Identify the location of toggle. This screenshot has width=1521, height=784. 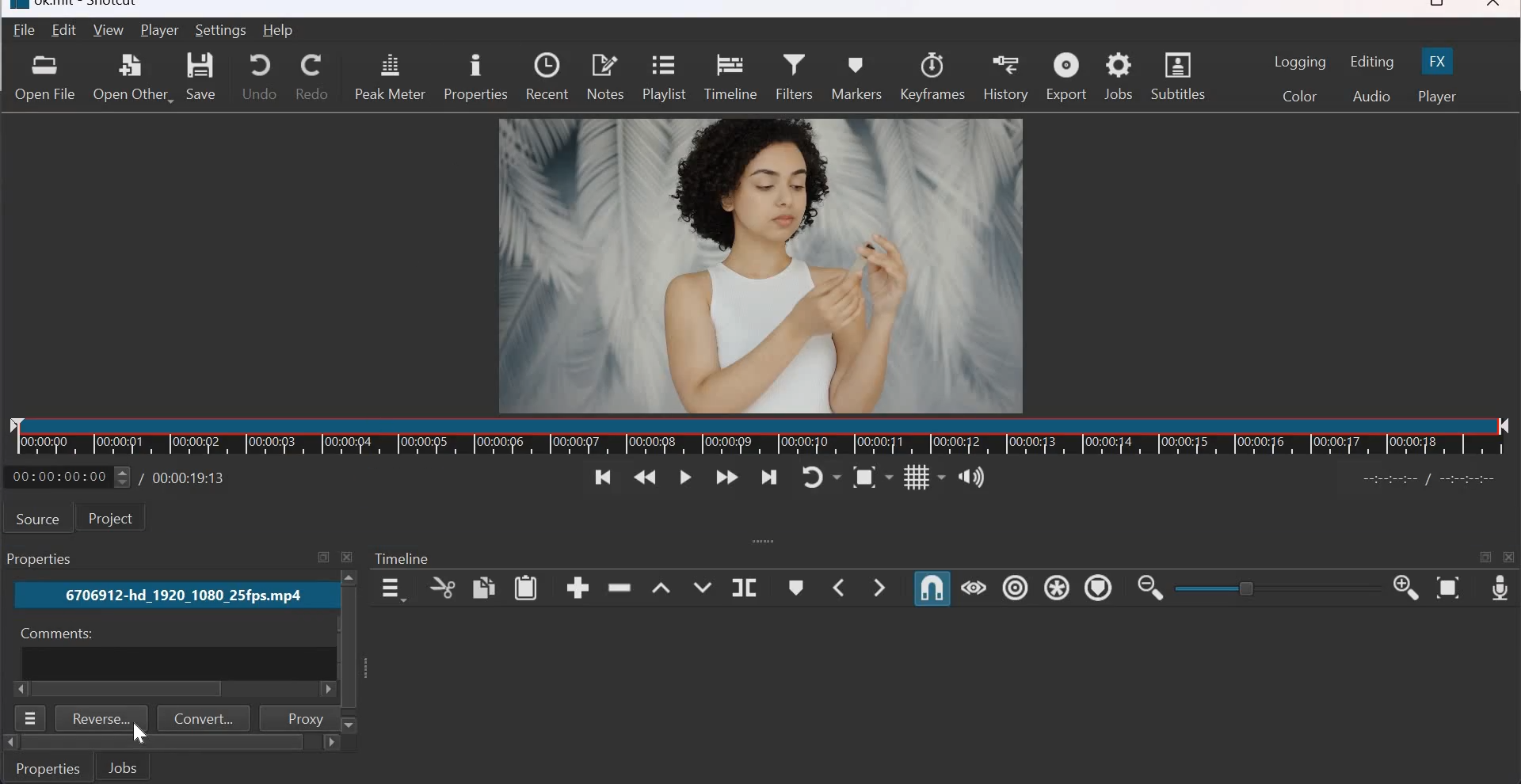
(1248, 588).